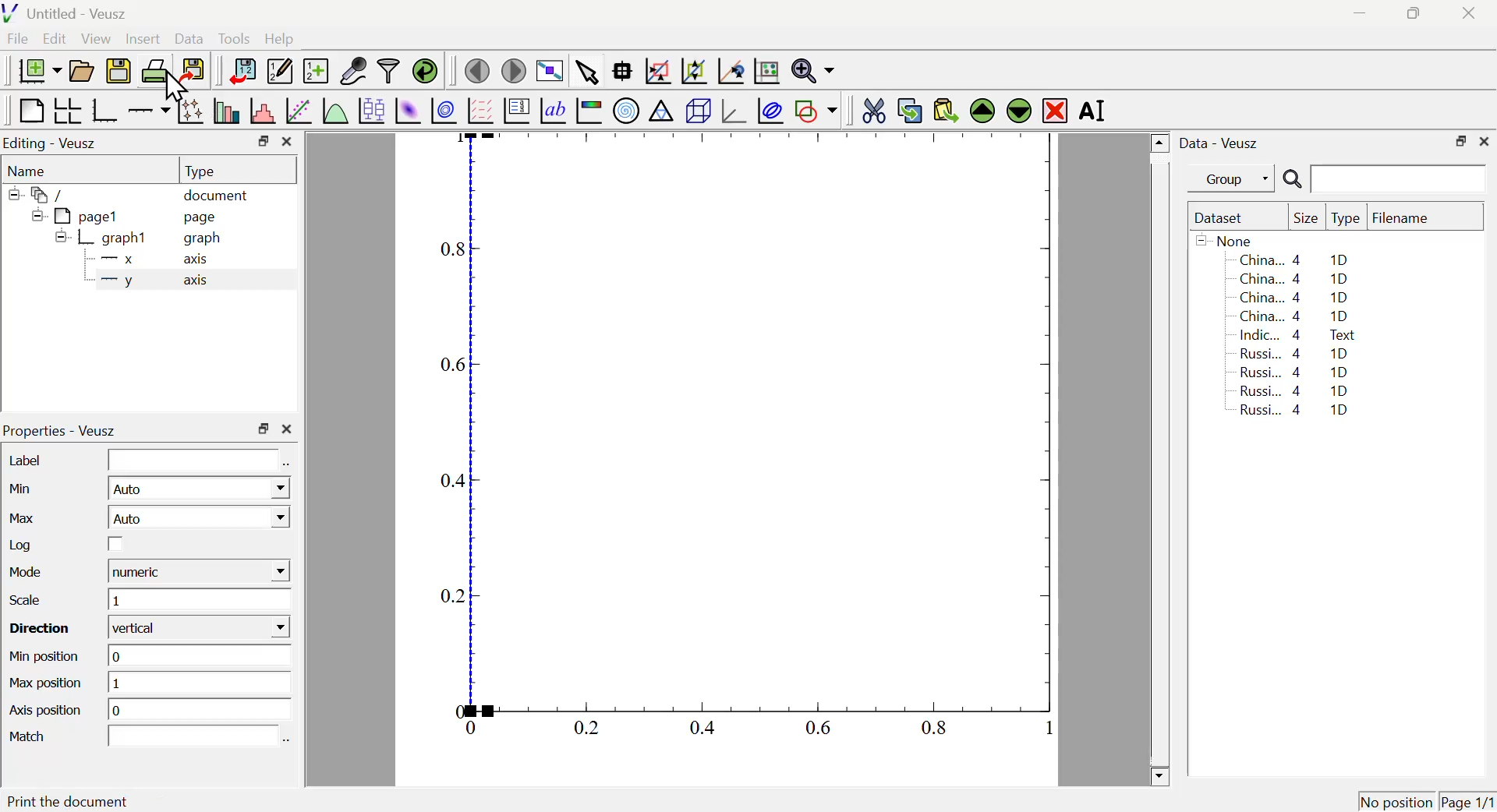  What do you see at coordinates (192, 736) in the screenshot?
I see `Input` at bounding box center [192, 736].